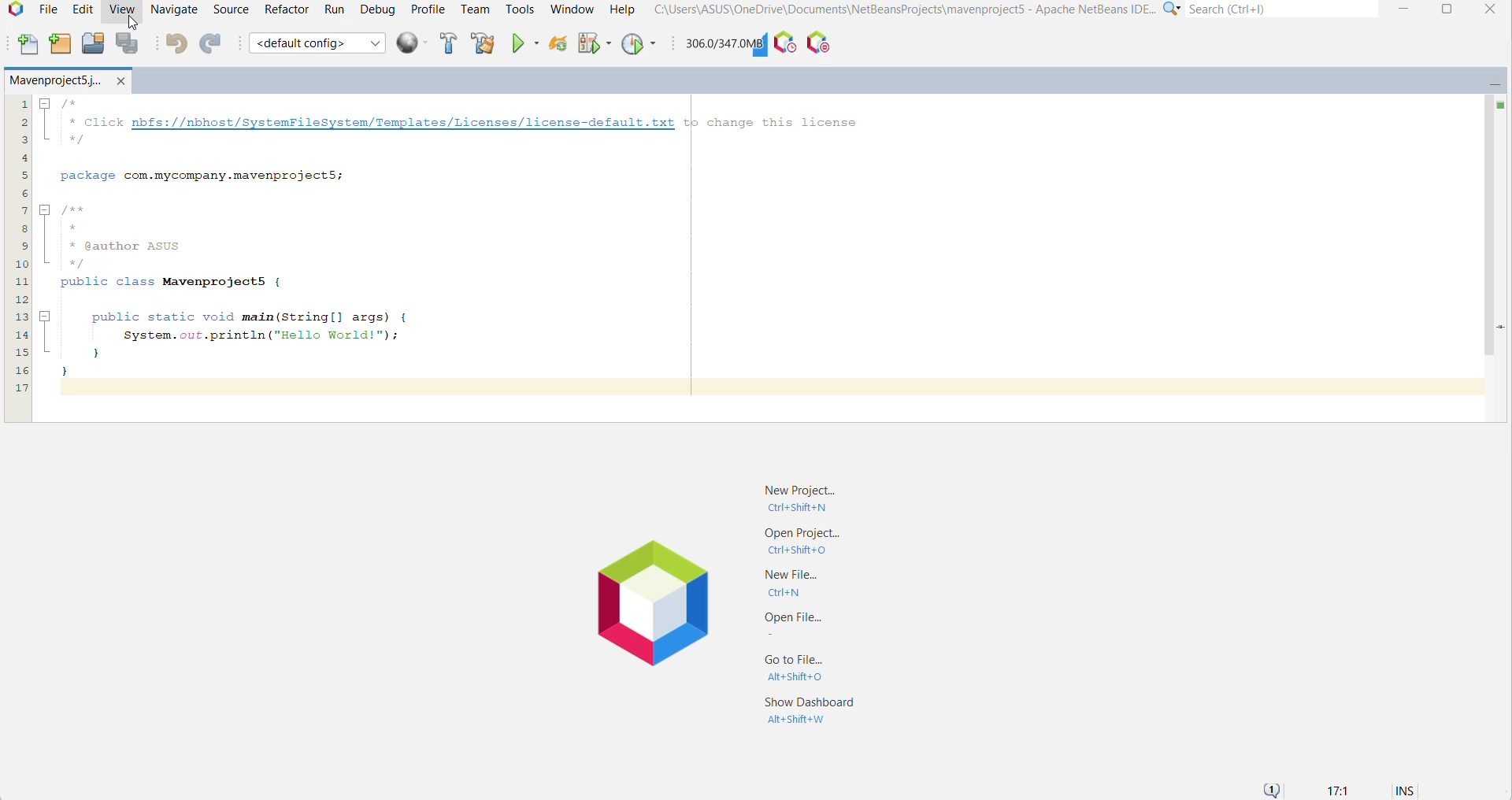  Describe the element at coordinates (320, 43) in the screenshot. I see `Set Project Configuration` at that location.